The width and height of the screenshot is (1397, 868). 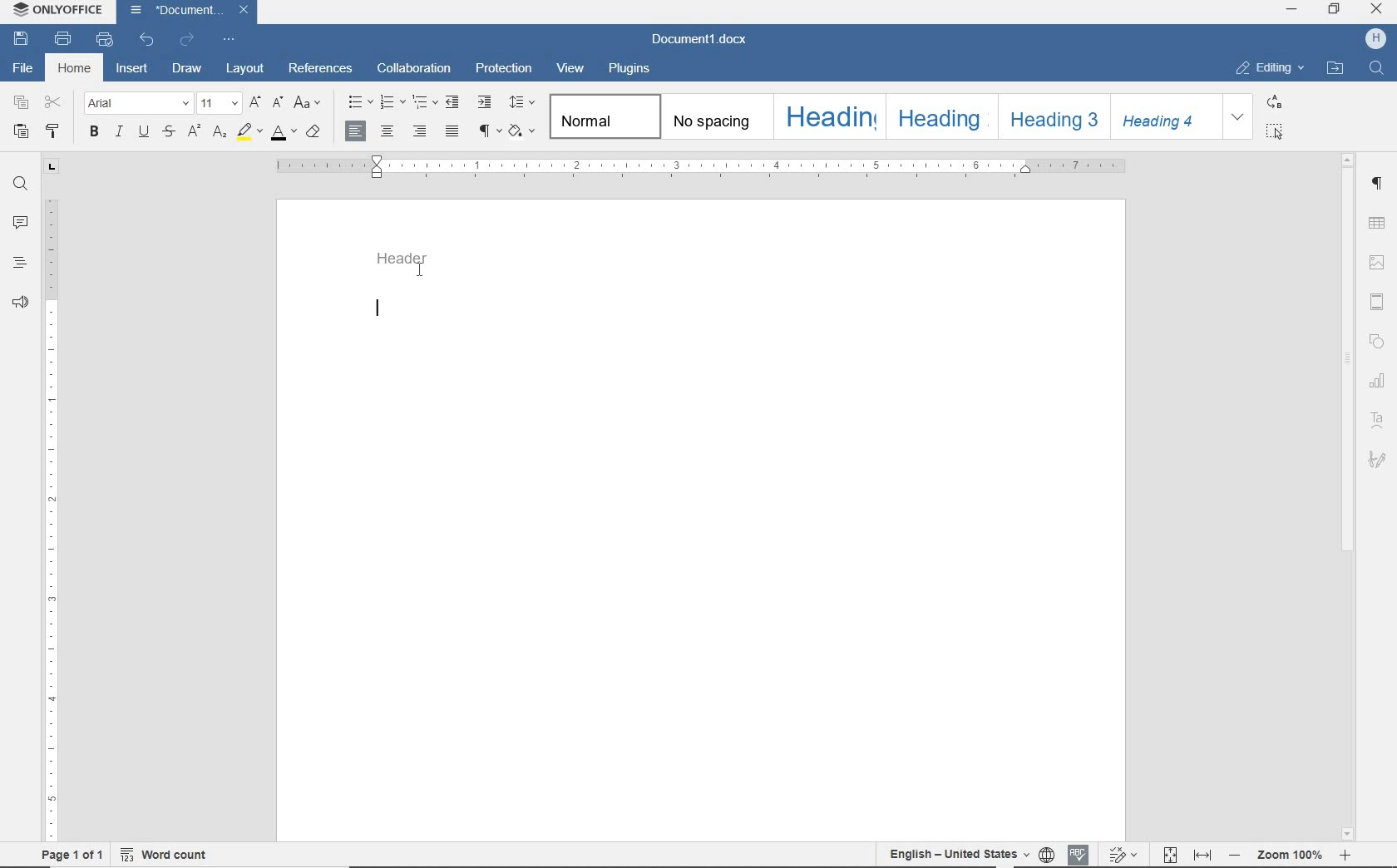 I want to click on editor, so click(x=377, y=308).